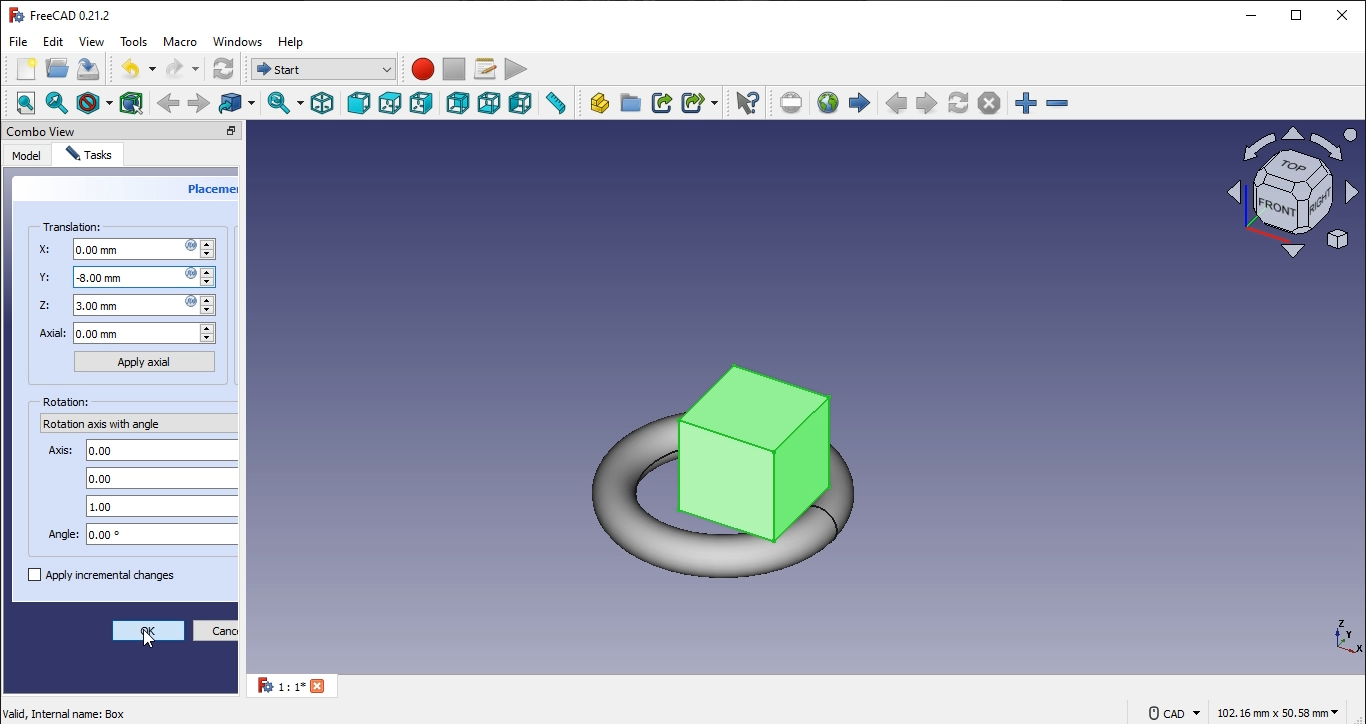 The height and width of the screenshot is (724, 1366). What do you see at coordinates (459, 102) in the screenshot?
I see `rear` at bounding box center [459, 102].